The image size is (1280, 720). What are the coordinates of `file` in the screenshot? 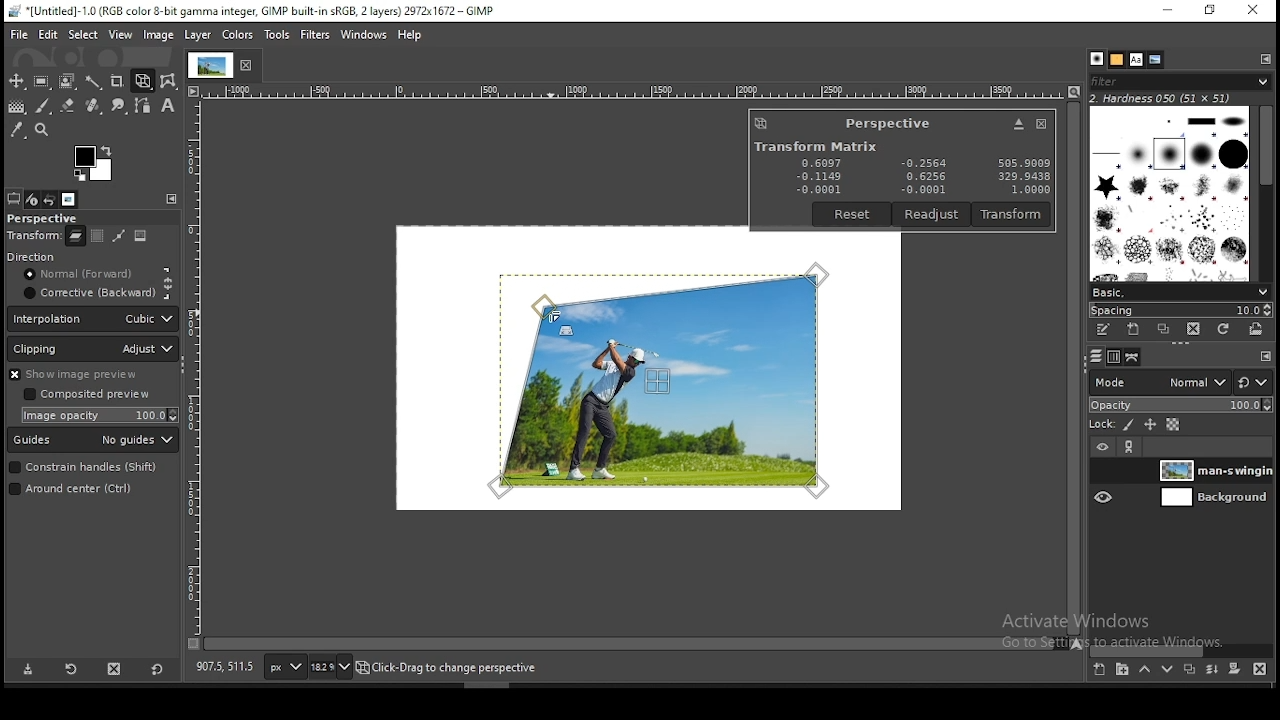 It's located at (18, 35).